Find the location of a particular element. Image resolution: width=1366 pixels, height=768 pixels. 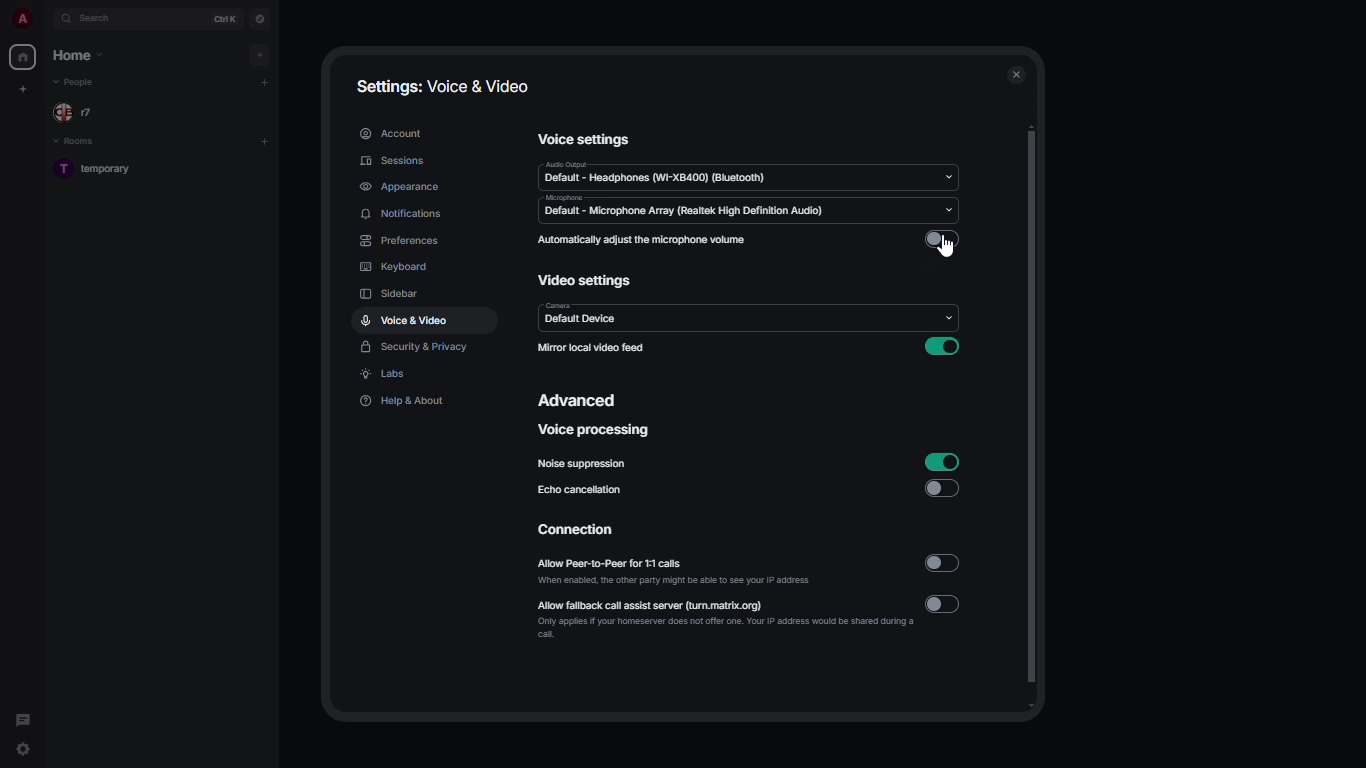

cursor is located at coordinates (949, 250).